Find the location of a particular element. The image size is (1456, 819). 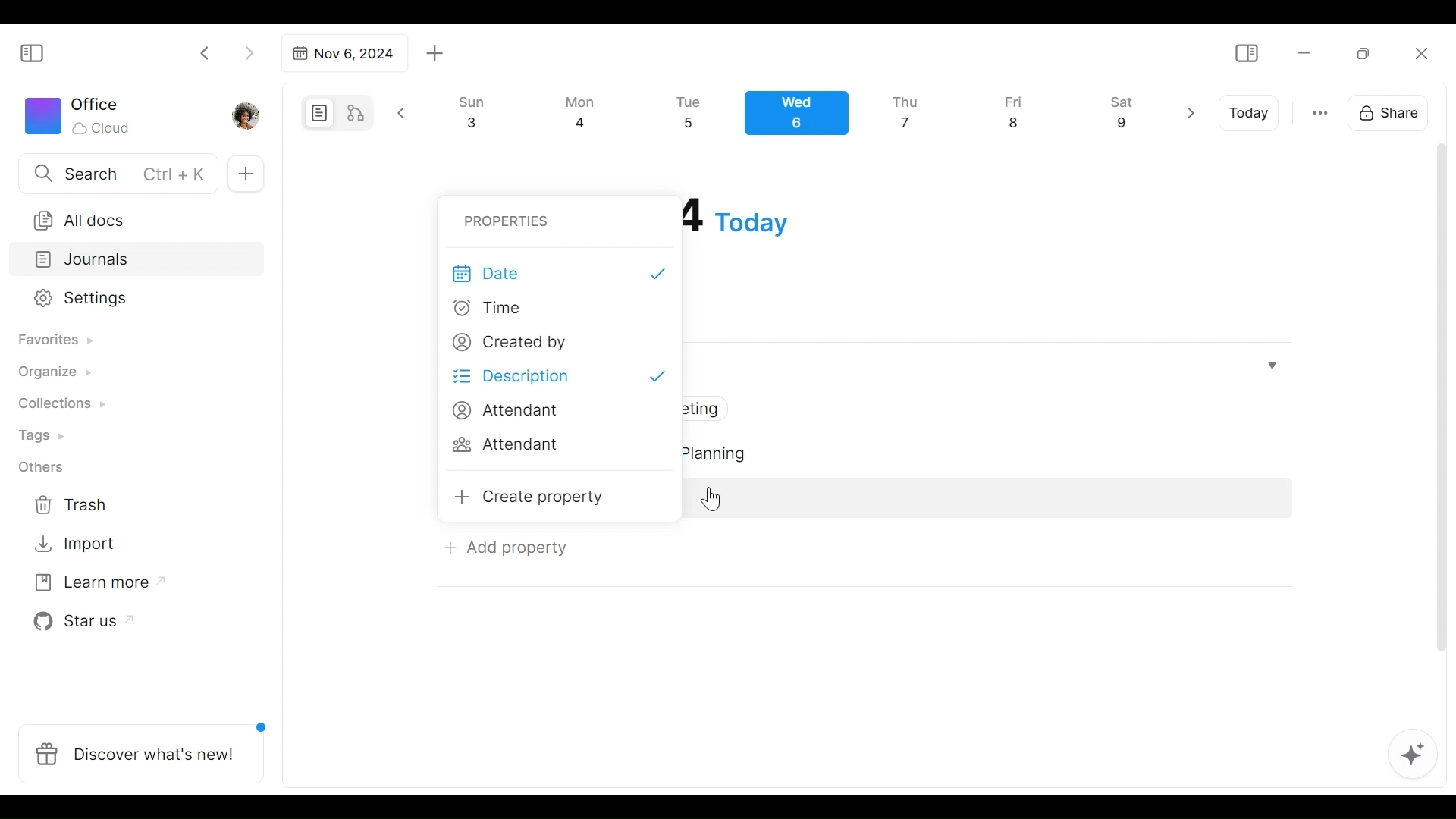

Cursor is located at coordinates (713, 499).